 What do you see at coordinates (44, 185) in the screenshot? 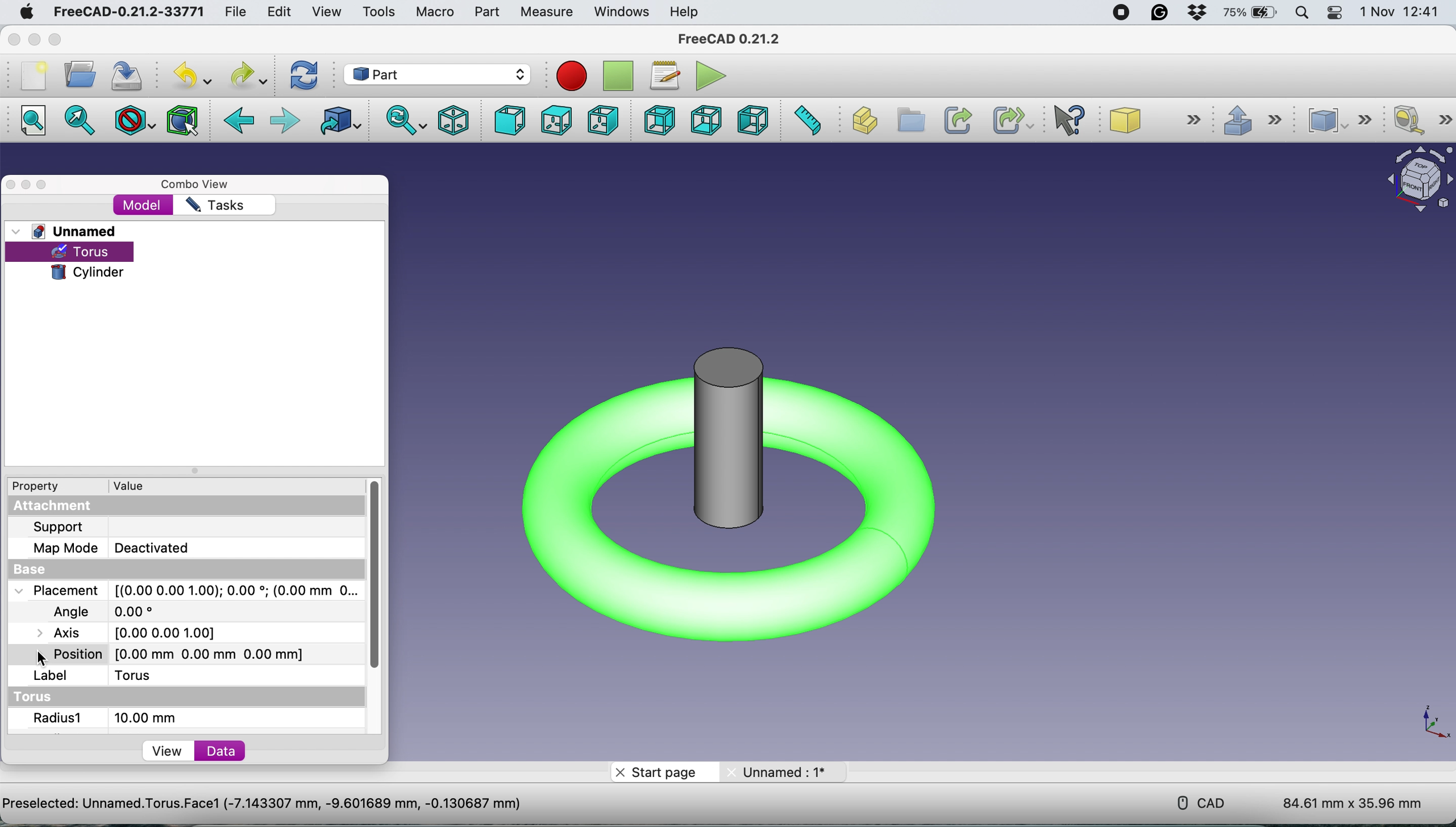
I see `maximise` at bounding box center [44, 185].